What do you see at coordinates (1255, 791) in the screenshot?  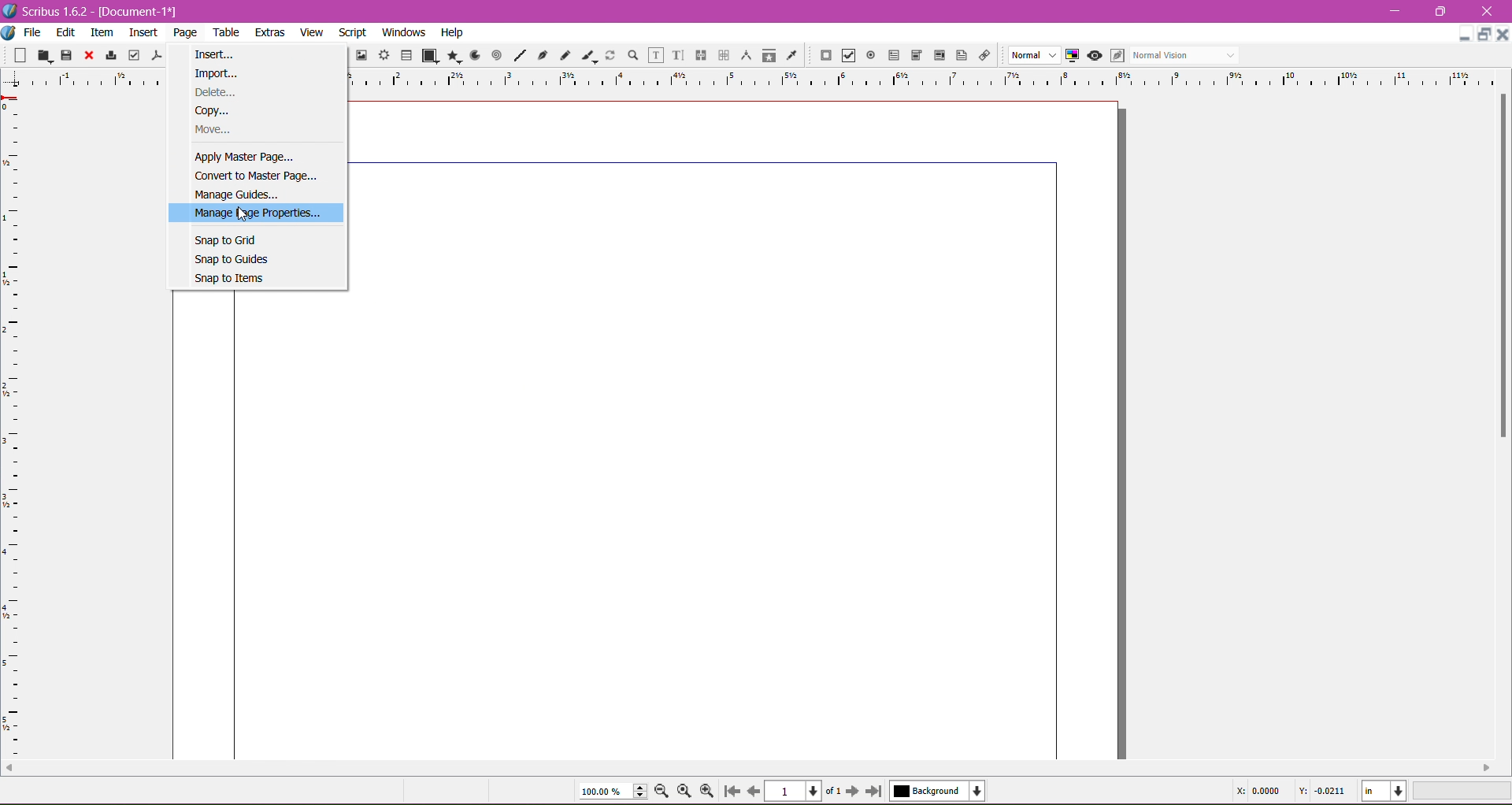 I see `Cursor Coordinate - X` at bounding box center [1255, 791].